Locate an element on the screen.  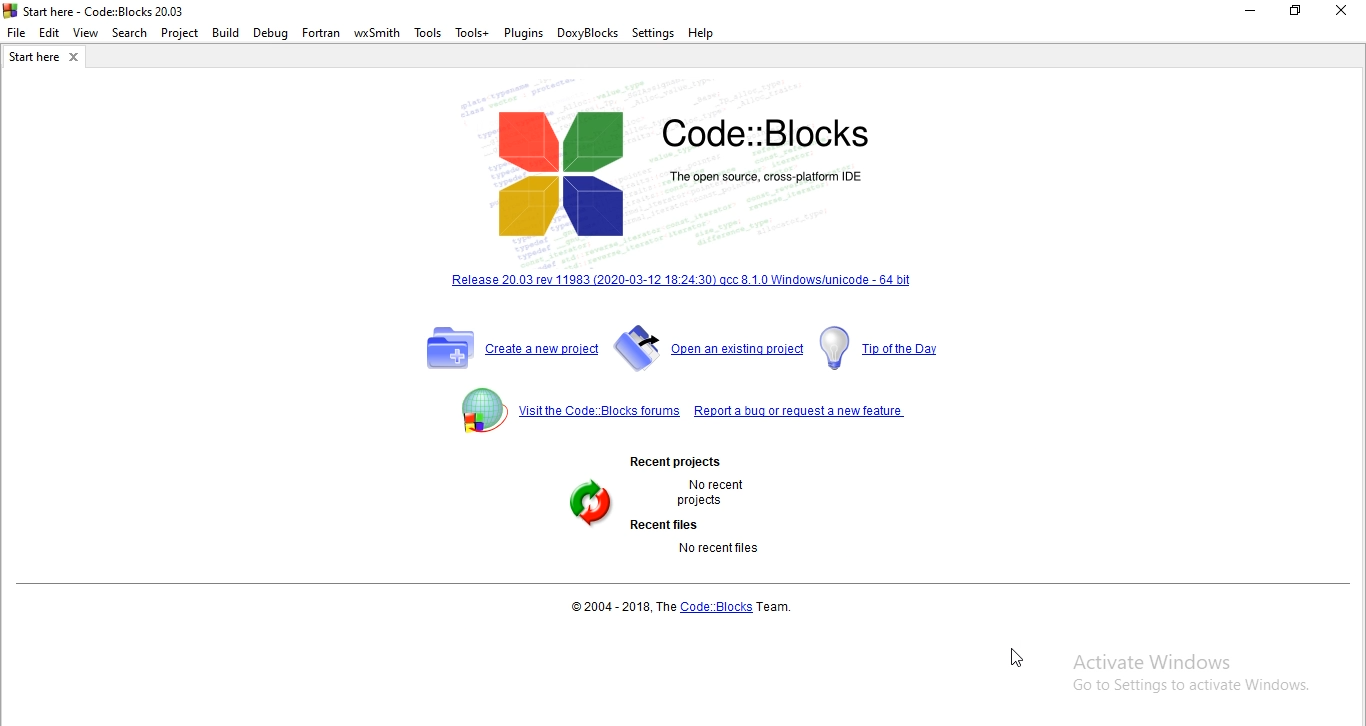
Filename is located at coordinates (34, 58).